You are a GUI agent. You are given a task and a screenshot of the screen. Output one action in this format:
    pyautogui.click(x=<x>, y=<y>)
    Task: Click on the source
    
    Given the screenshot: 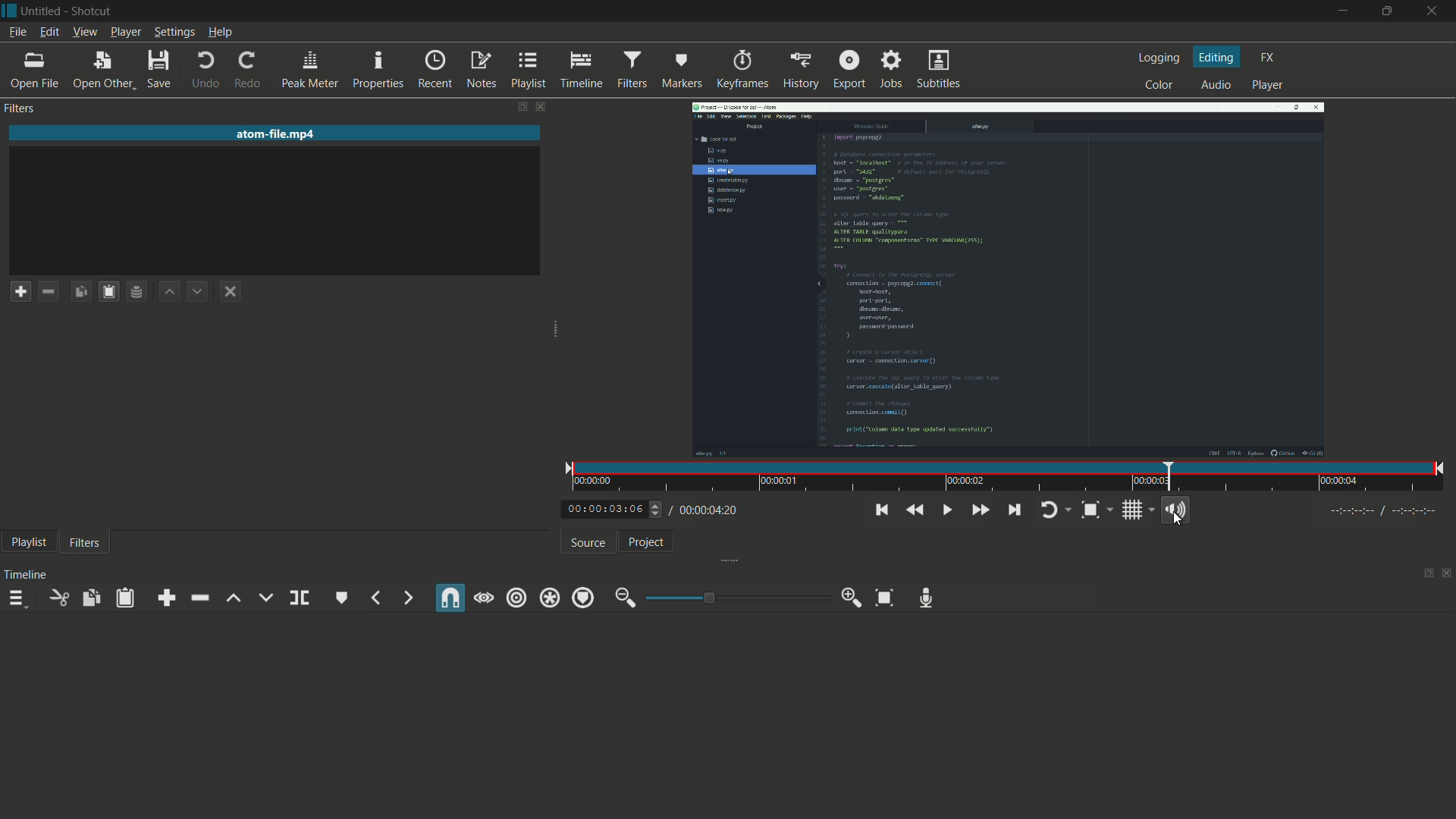 What is the action you would take?
    pyautogui.click(x=585, y=544)
    